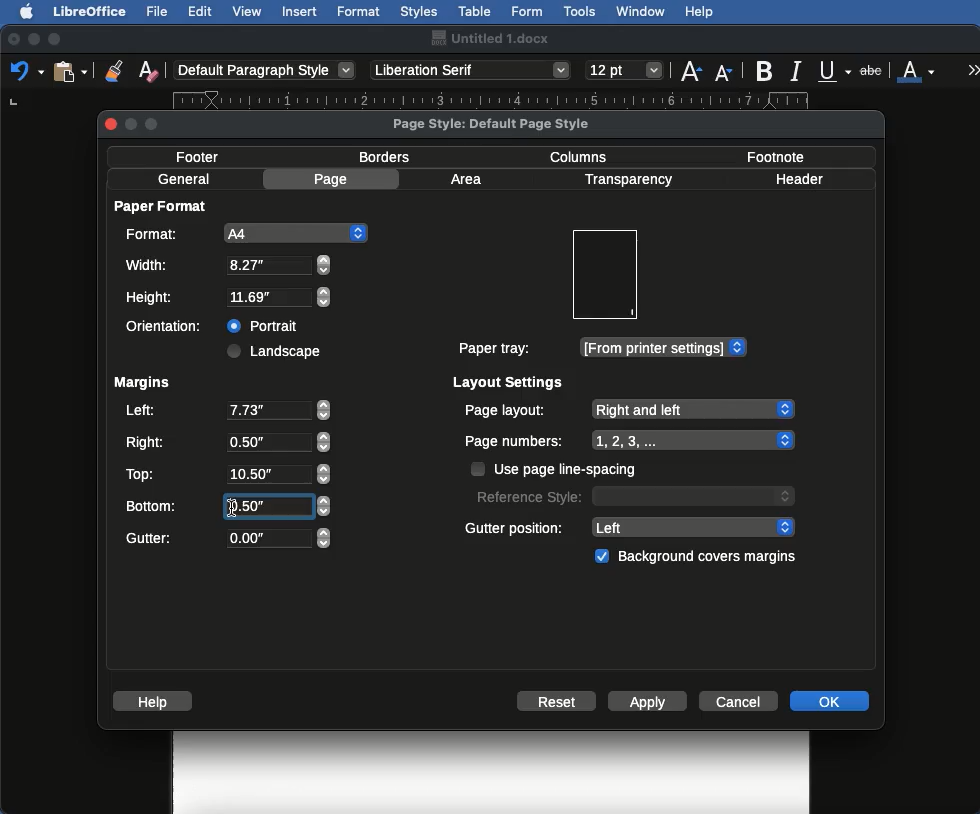  Describe the element at coordinates (12, 103) in the screenshot. I see `left tab` at that location.